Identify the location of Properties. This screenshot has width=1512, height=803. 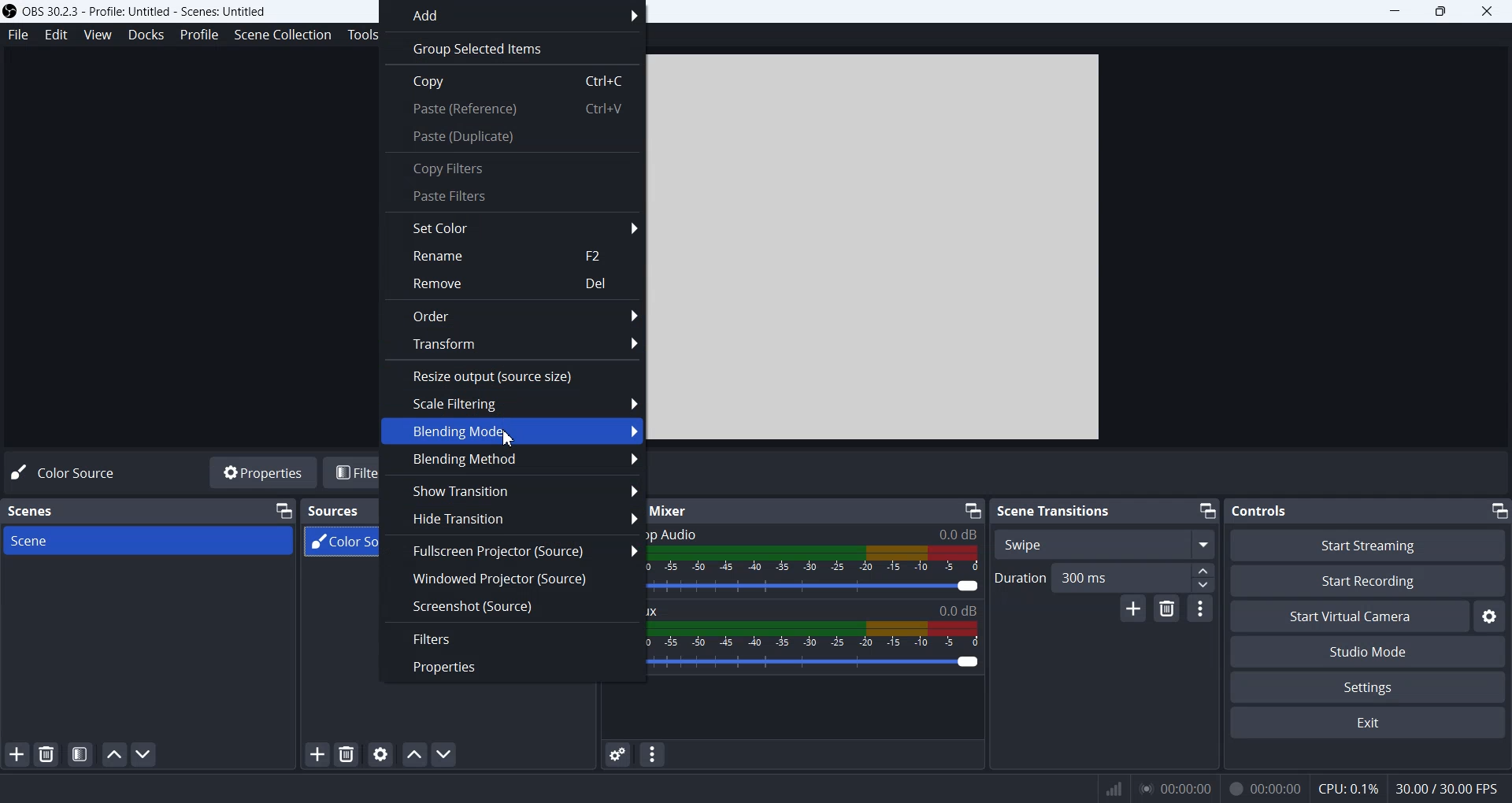
(512, 666).